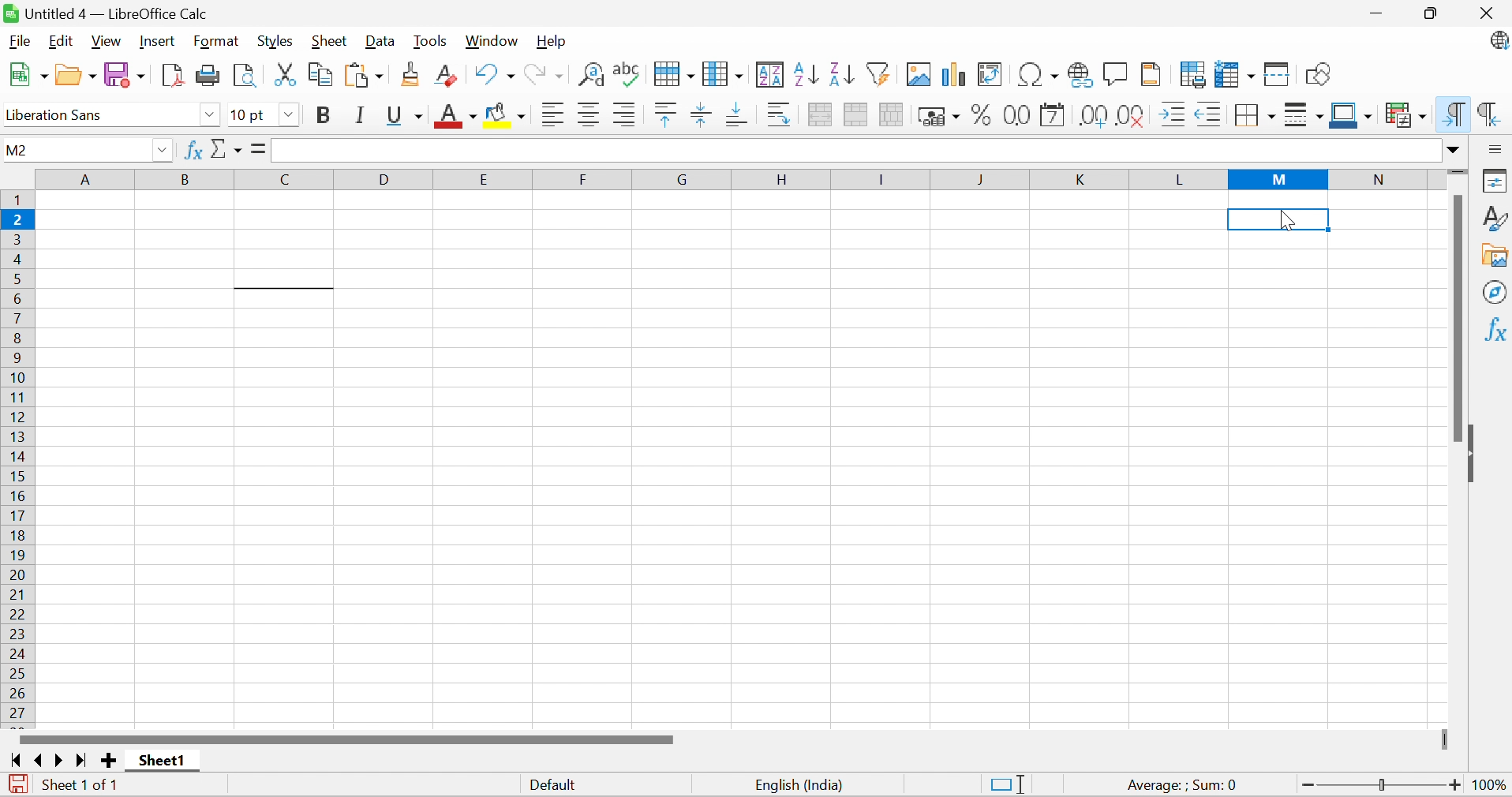 The image size is (1512, 797). What do you see at coordinates (551, 40) in the screenshot?
I see `Help` at bounding box center [551, 40].